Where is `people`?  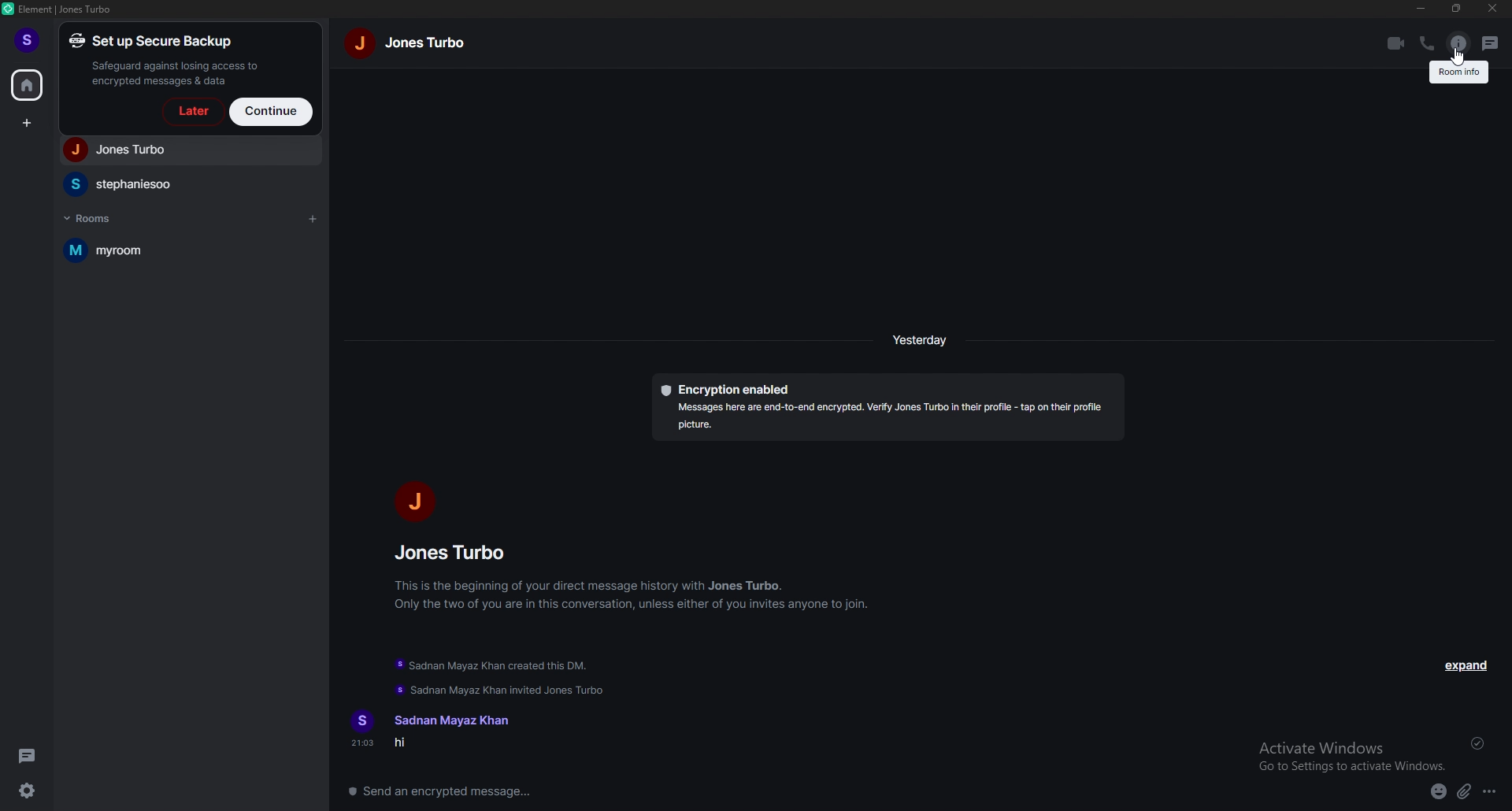
people is located at coordinates (187, 150).